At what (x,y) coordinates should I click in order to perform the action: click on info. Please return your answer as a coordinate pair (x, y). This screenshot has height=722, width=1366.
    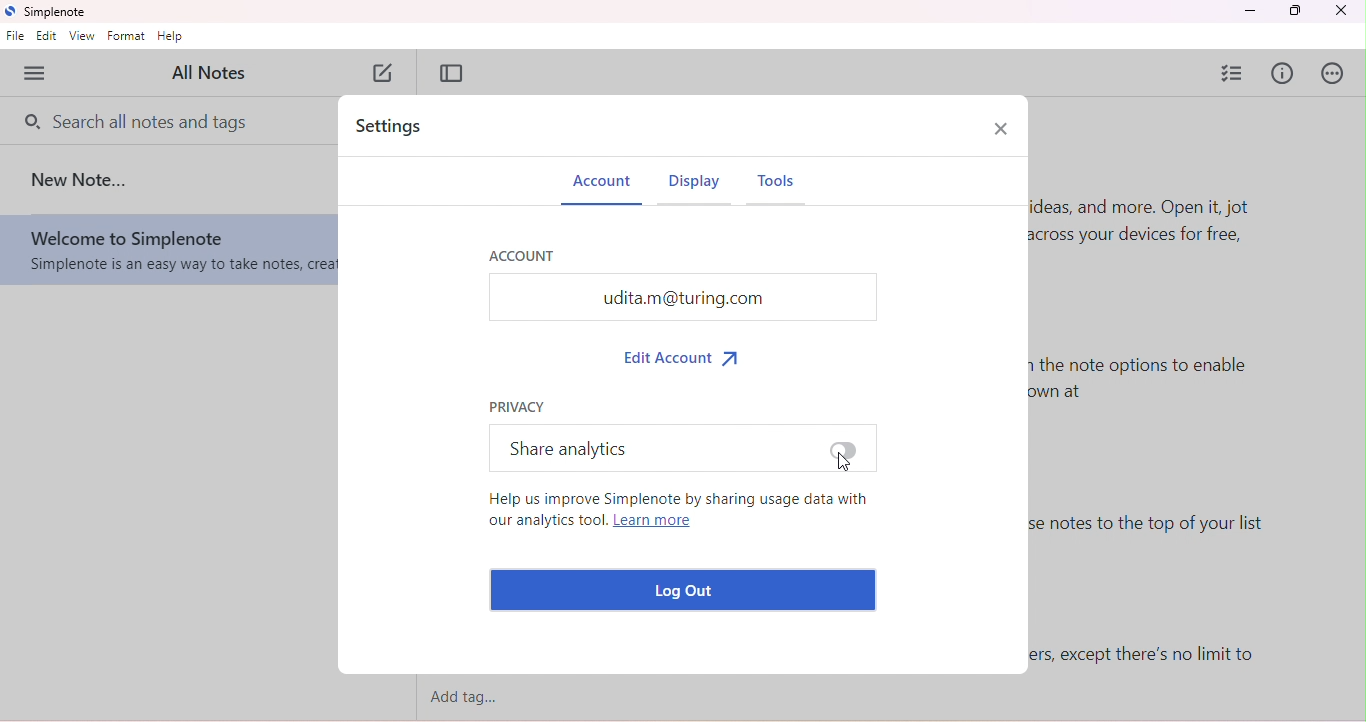
    Looking at the image, I should click on (1284, 75).